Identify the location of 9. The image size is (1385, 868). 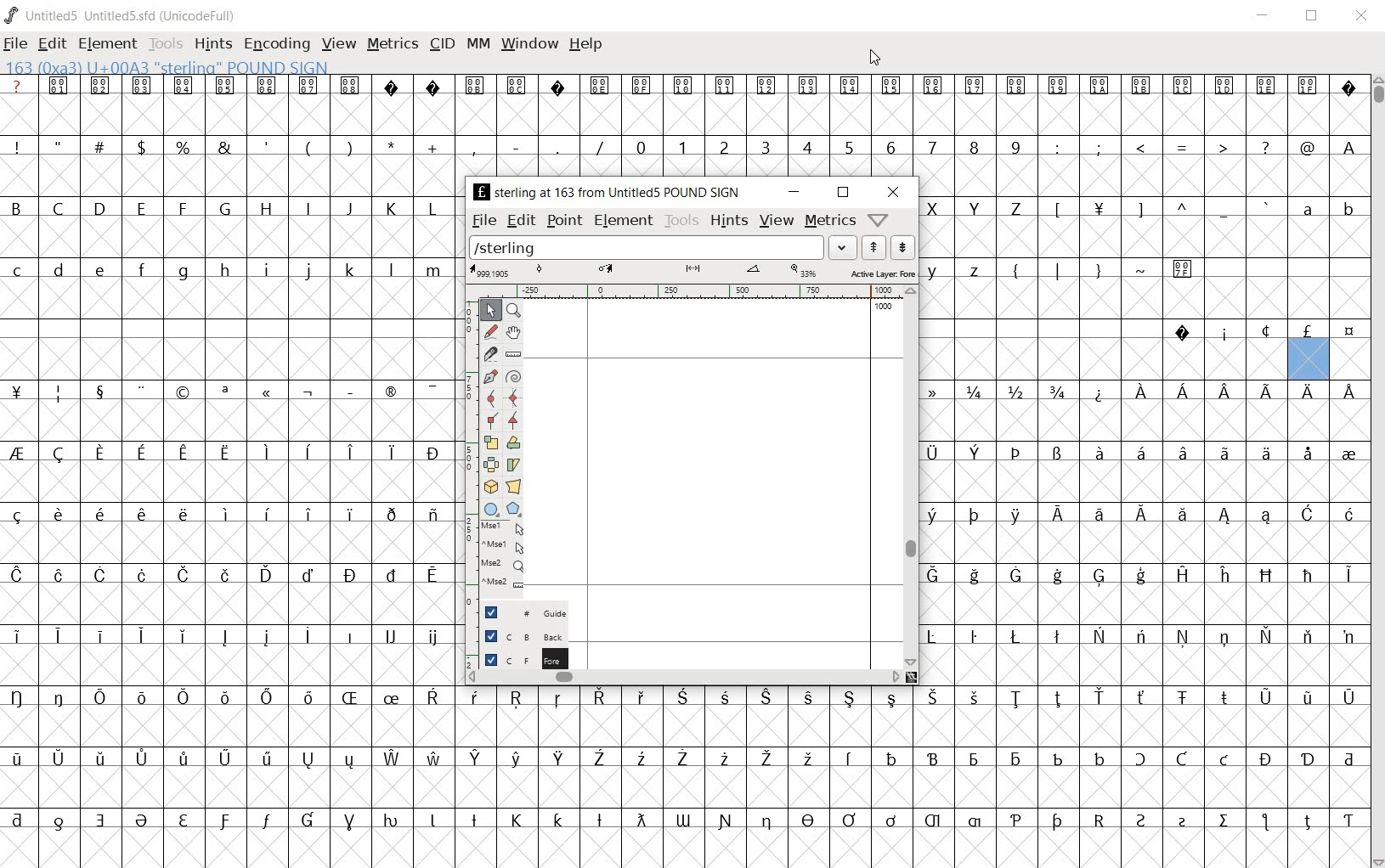
(1015, 146).